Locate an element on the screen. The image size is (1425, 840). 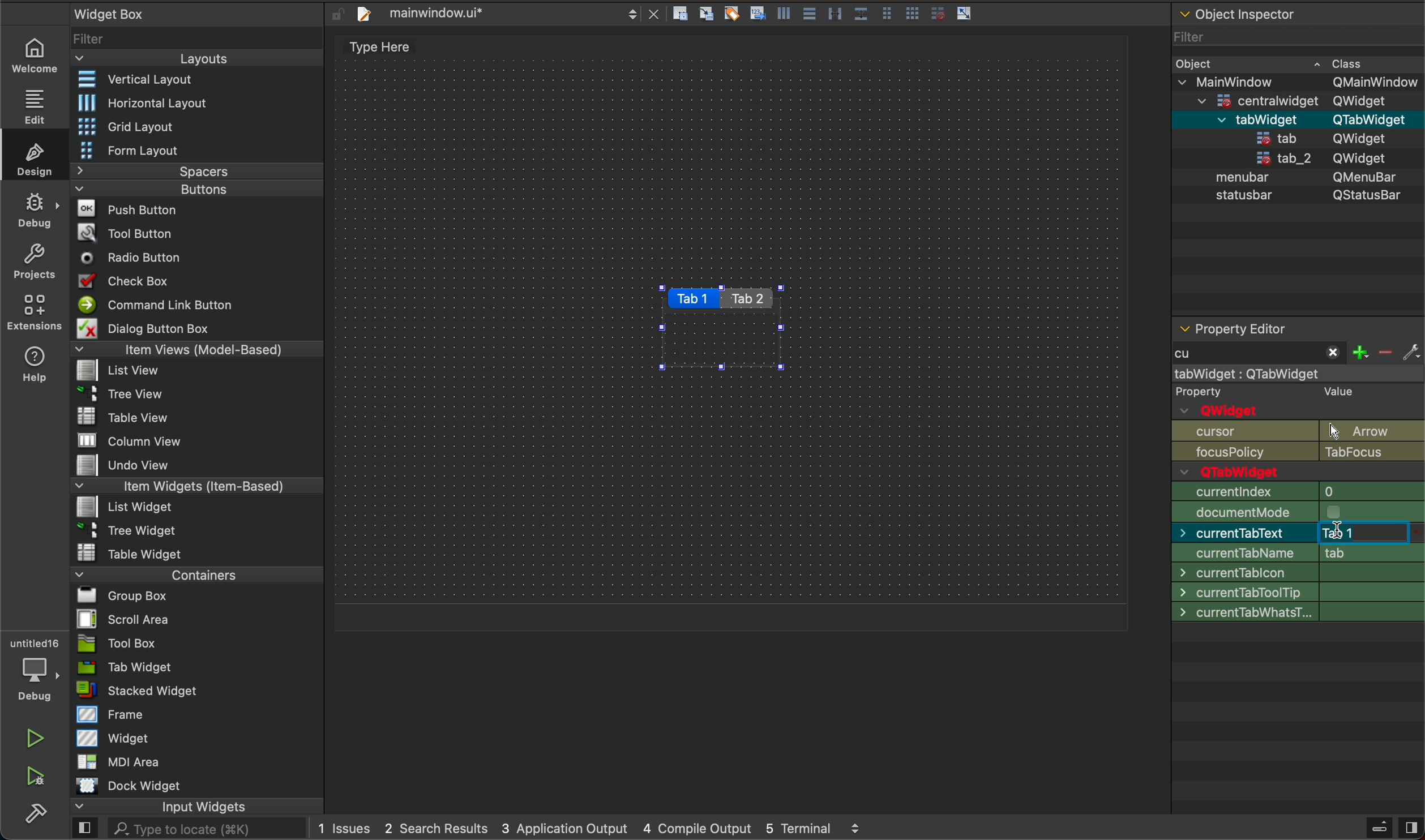
Vertical Layout is located at coordinates (132, 78).